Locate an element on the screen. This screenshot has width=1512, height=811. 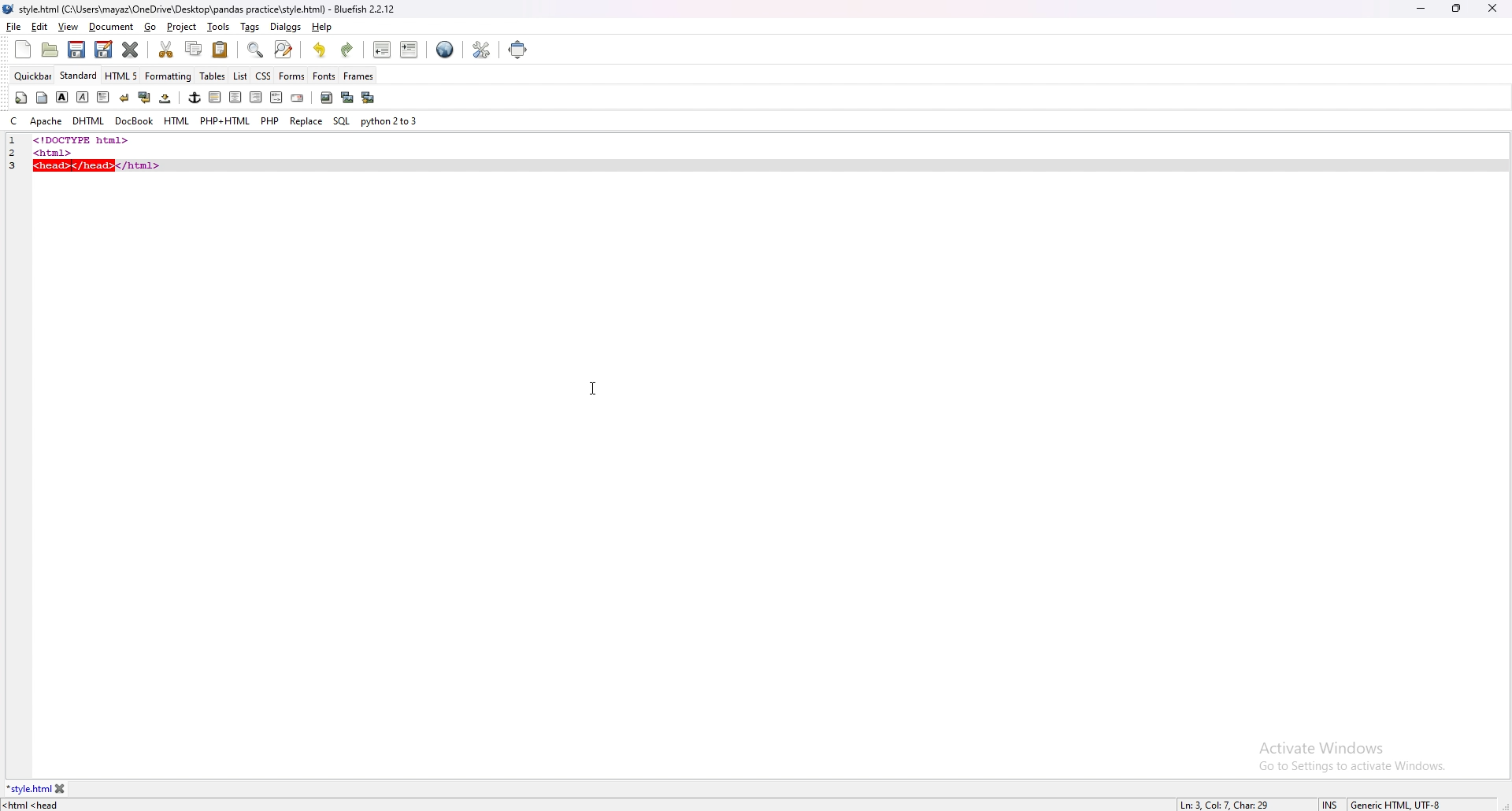
close tab is located at coordinates (61, 789).